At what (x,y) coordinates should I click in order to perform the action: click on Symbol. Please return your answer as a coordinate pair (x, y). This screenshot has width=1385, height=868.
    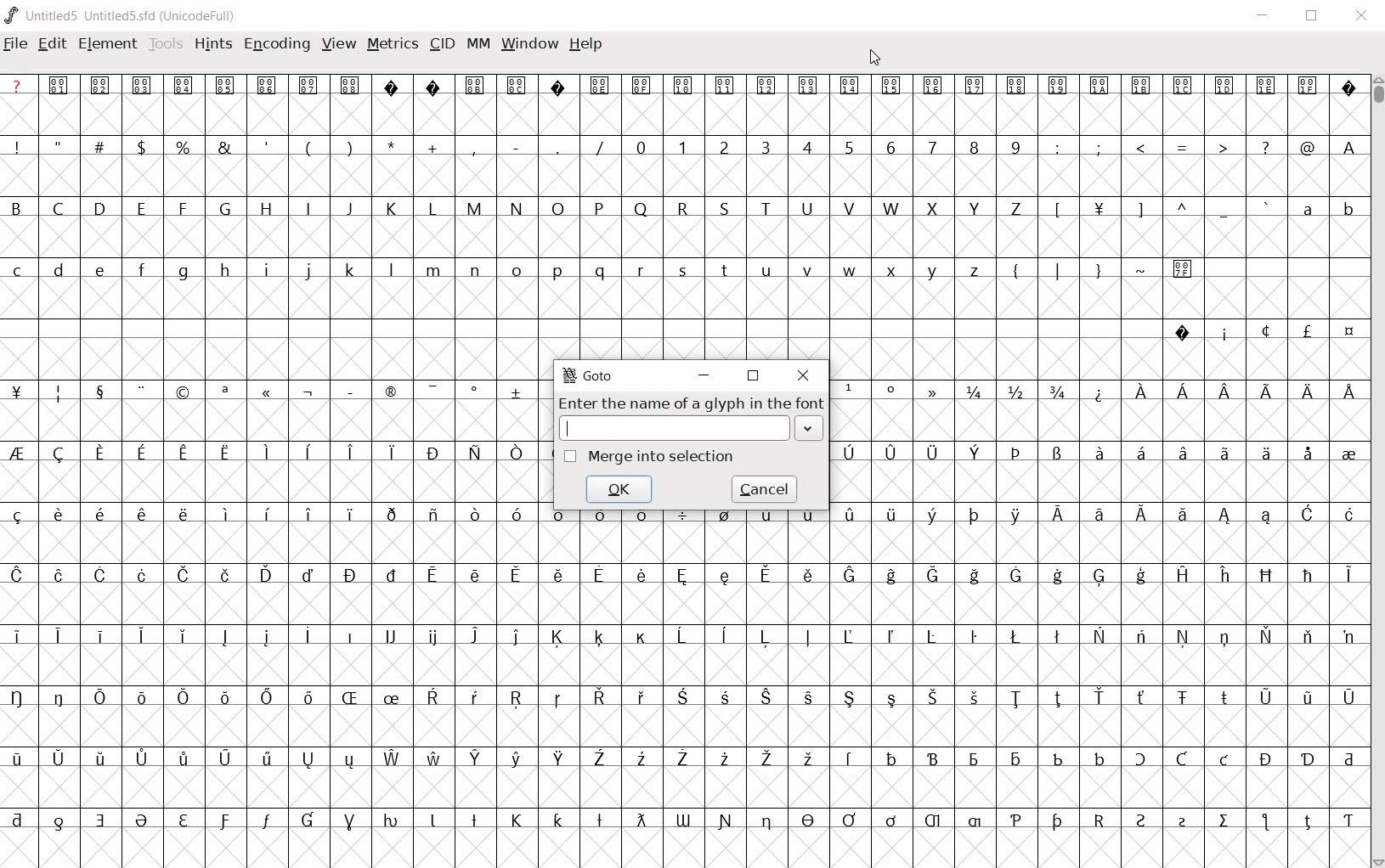
    Looking at the image, I should click on (890, 451).